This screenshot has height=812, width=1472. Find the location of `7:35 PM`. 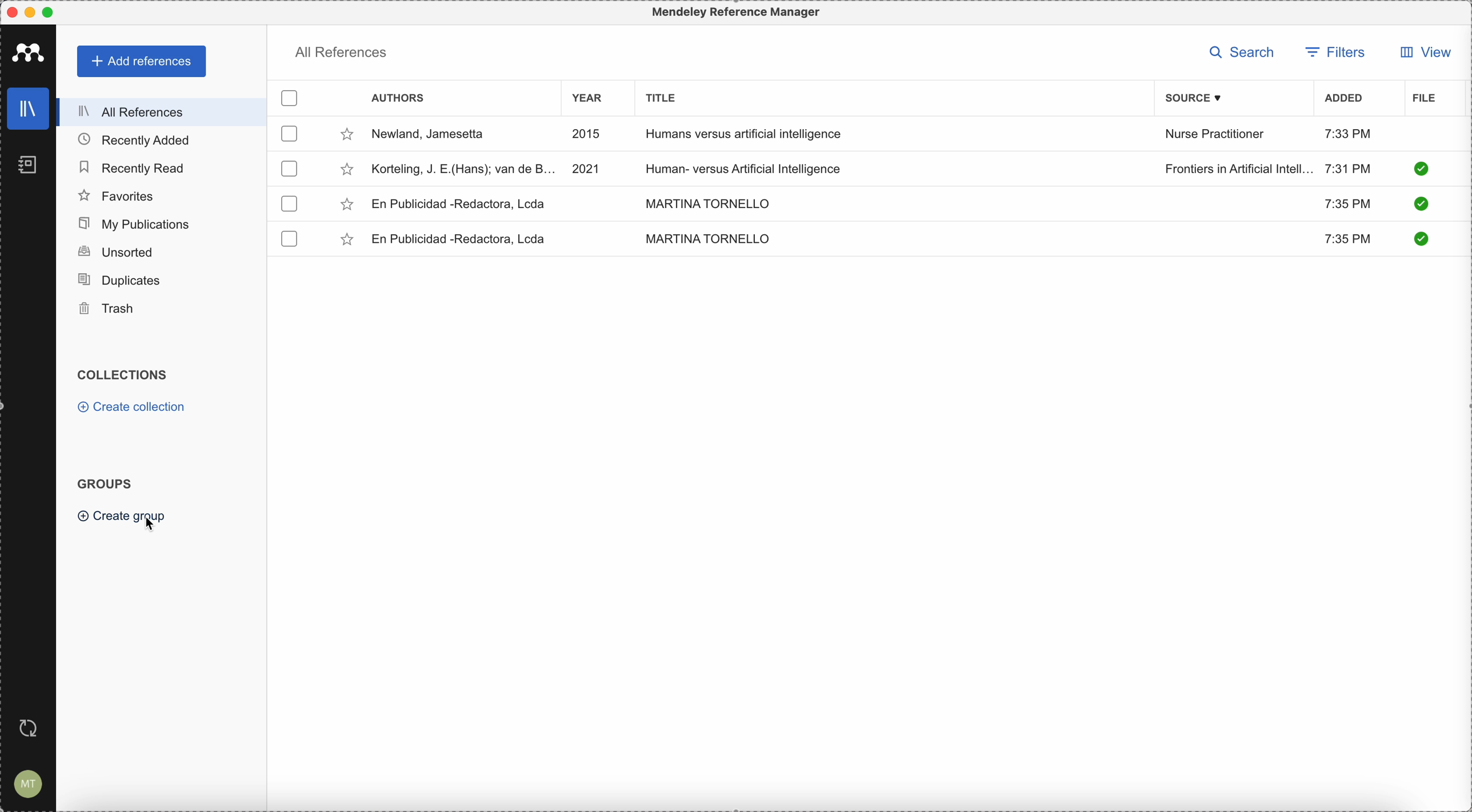

7:35 PM is located at coordinates (1346, 202).